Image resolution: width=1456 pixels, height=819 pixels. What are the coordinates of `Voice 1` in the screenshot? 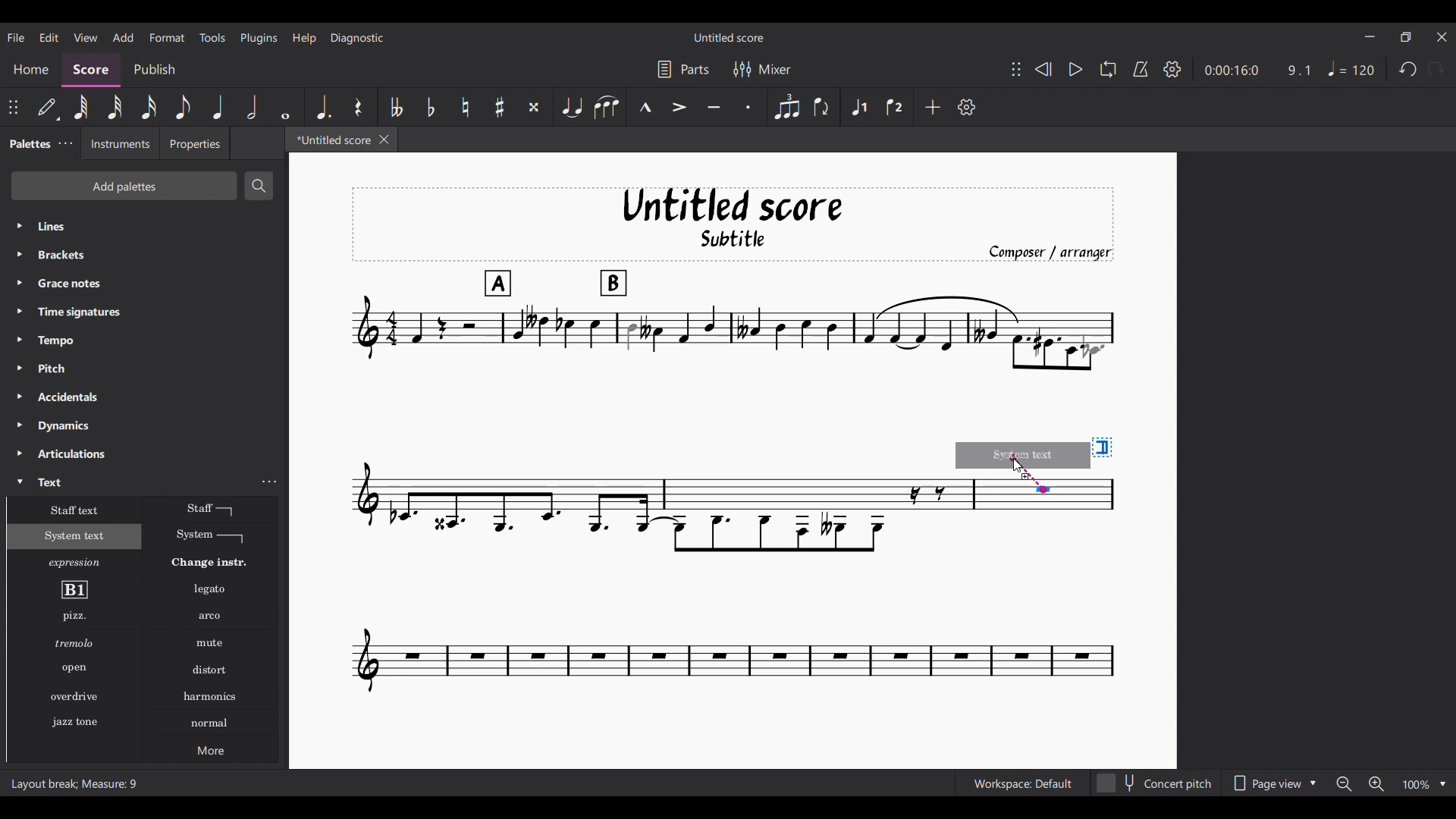 It's located at (858, 107).